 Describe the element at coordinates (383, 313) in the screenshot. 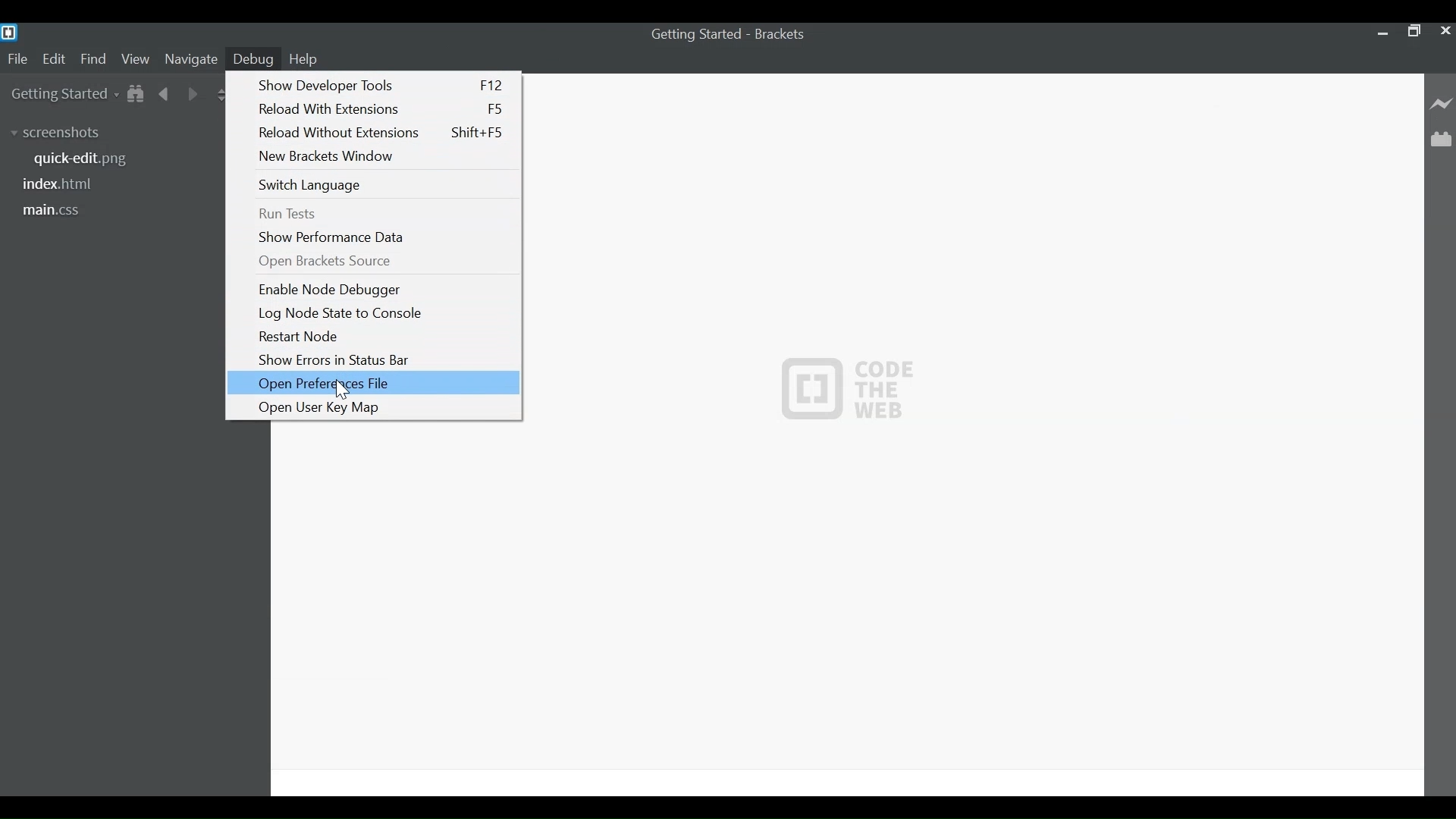

I see `Log Node State to Console` at that location.